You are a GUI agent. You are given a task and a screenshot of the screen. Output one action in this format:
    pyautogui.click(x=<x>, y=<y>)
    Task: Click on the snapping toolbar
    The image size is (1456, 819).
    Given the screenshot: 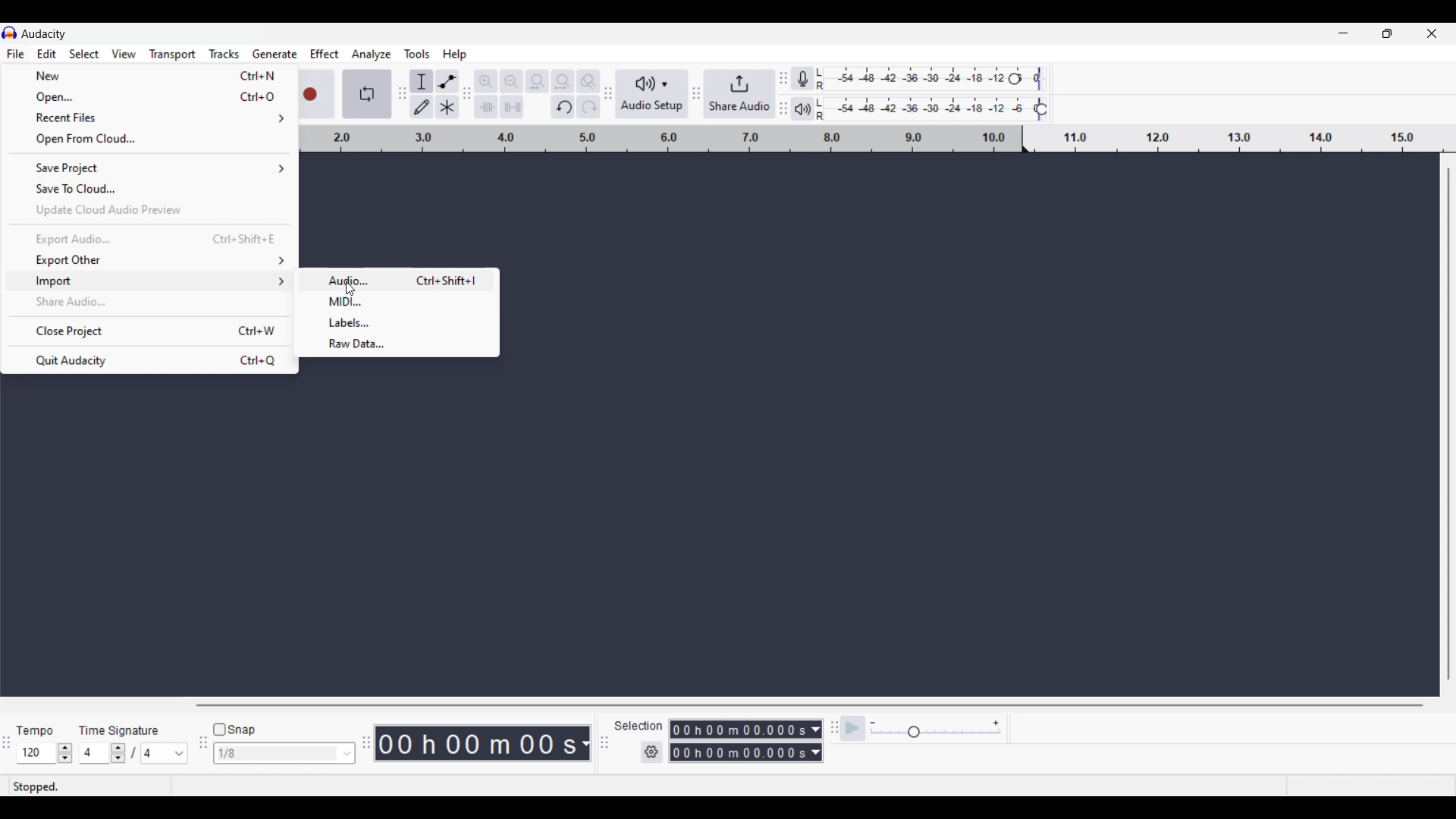 What is the action you would take?
    pyautogui.click(x=200, y=752)
    